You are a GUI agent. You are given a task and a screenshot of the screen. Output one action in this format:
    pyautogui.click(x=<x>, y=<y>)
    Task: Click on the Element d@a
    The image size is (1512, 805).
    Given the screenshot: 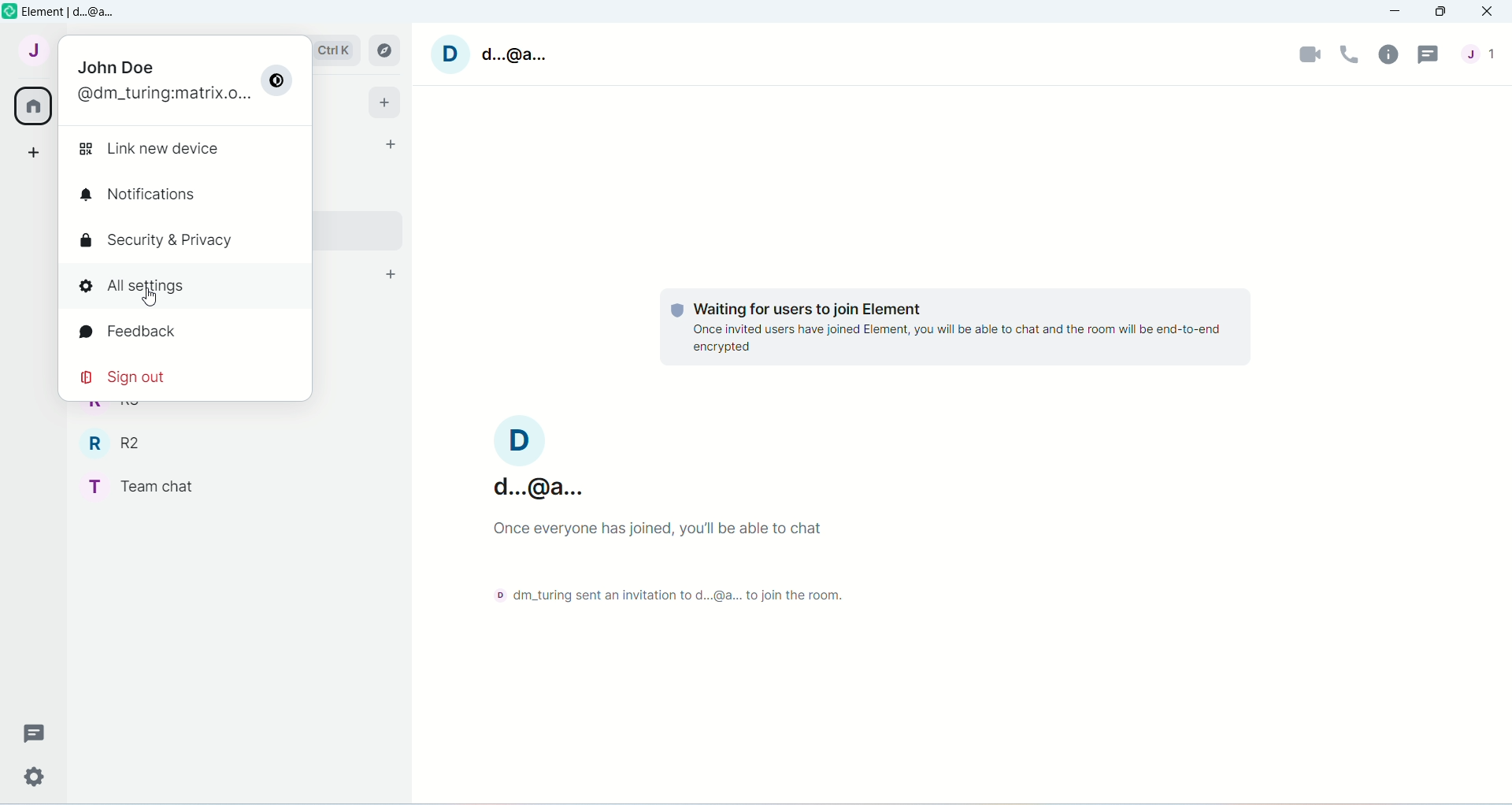 What is the action you would take?
    pyautogui.click(x=73, y=14)
    